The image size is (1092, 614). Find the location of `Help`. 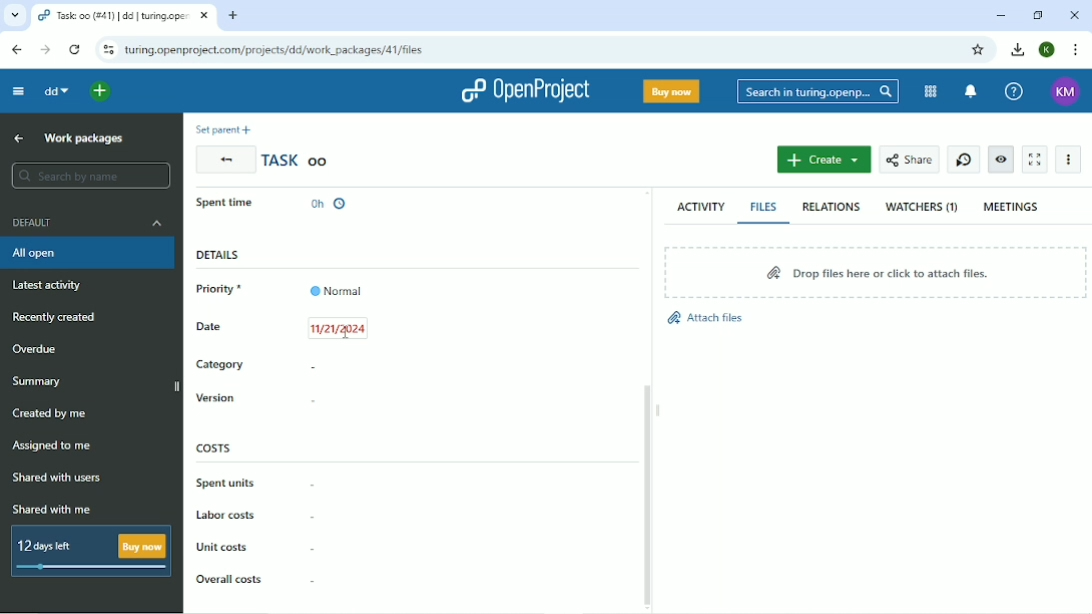

Help is located at coordinates (1014, 90).